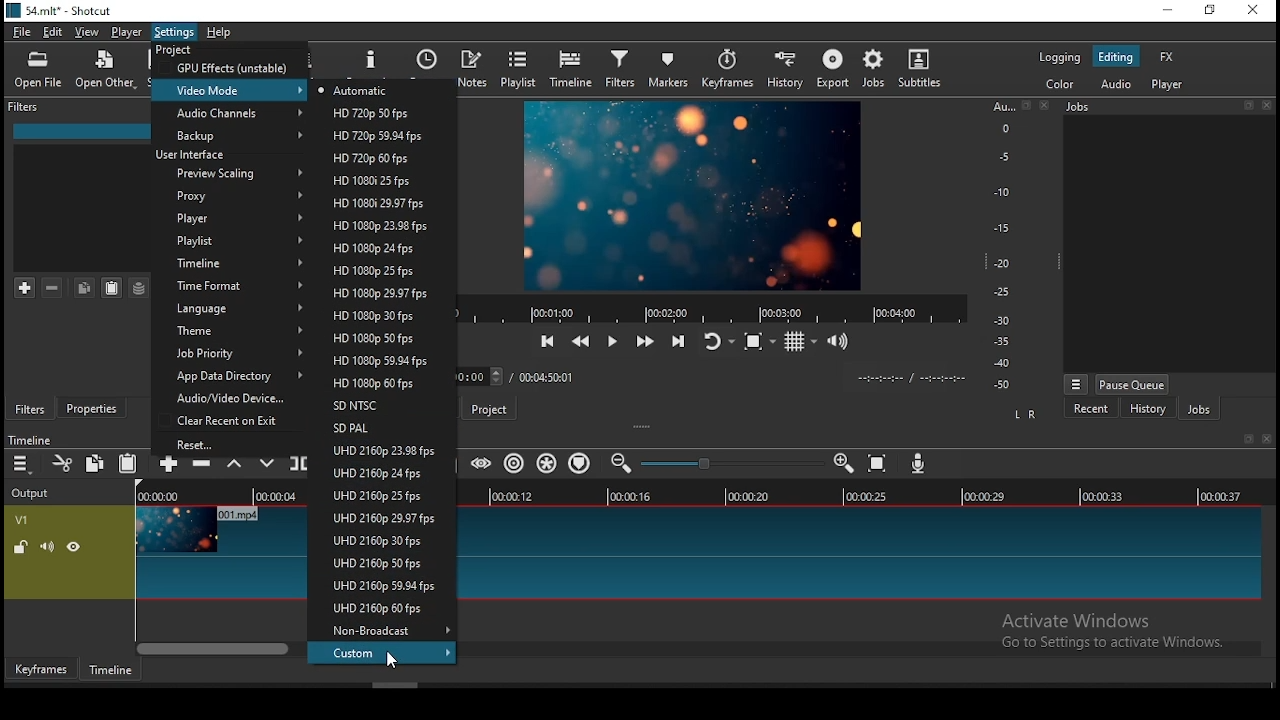 This screenshot has width=1280, height=720. Describe the element at coordinates (232, 445) in the screenshot. I see `reset` at that location.